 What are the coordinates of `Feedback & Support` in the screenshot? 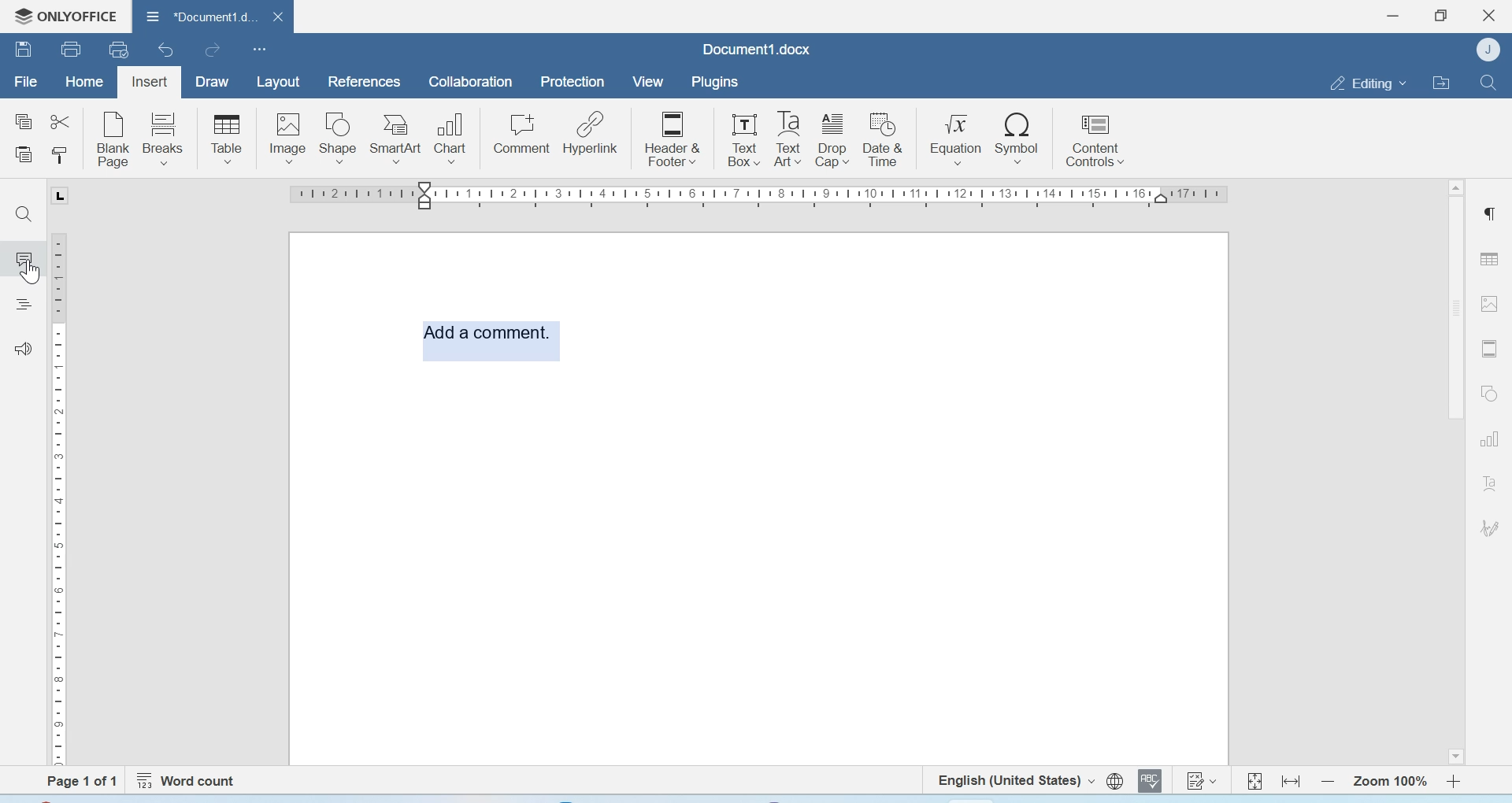 It's located at (24, 348).